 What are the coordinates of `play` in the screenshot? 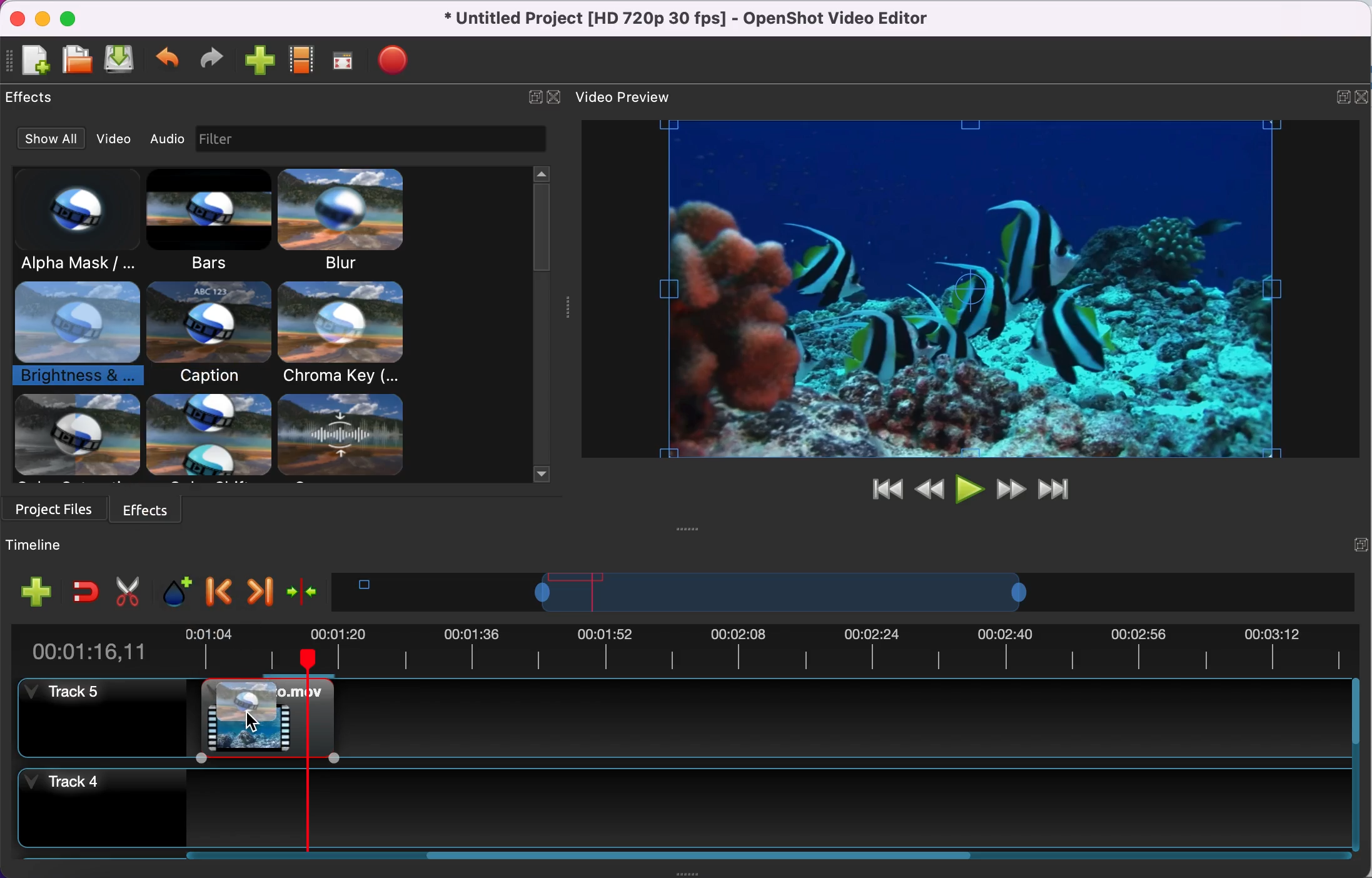 It's located at (969, 489).